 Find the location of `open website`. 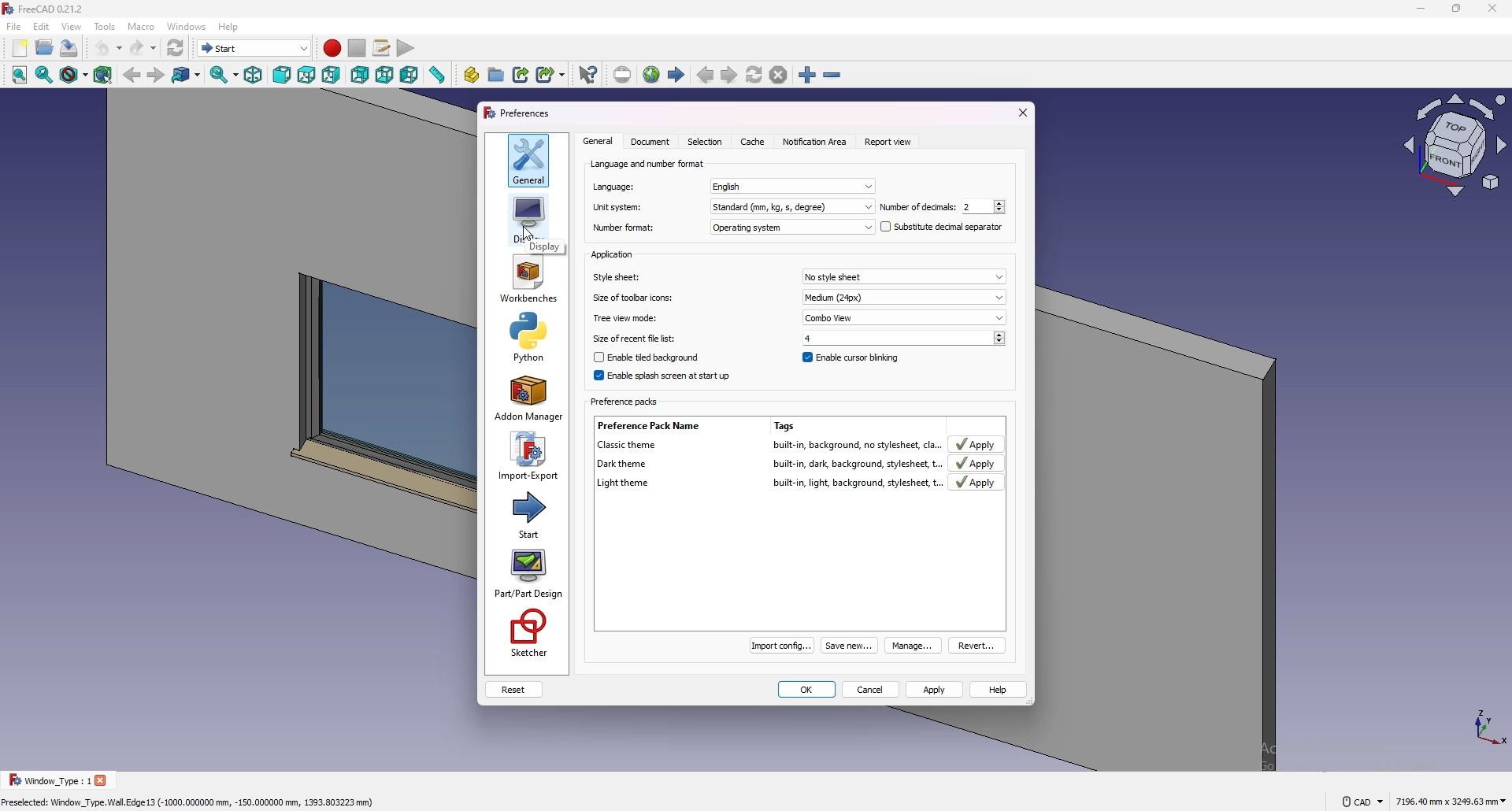

open website is located at coordinates (653, 75).